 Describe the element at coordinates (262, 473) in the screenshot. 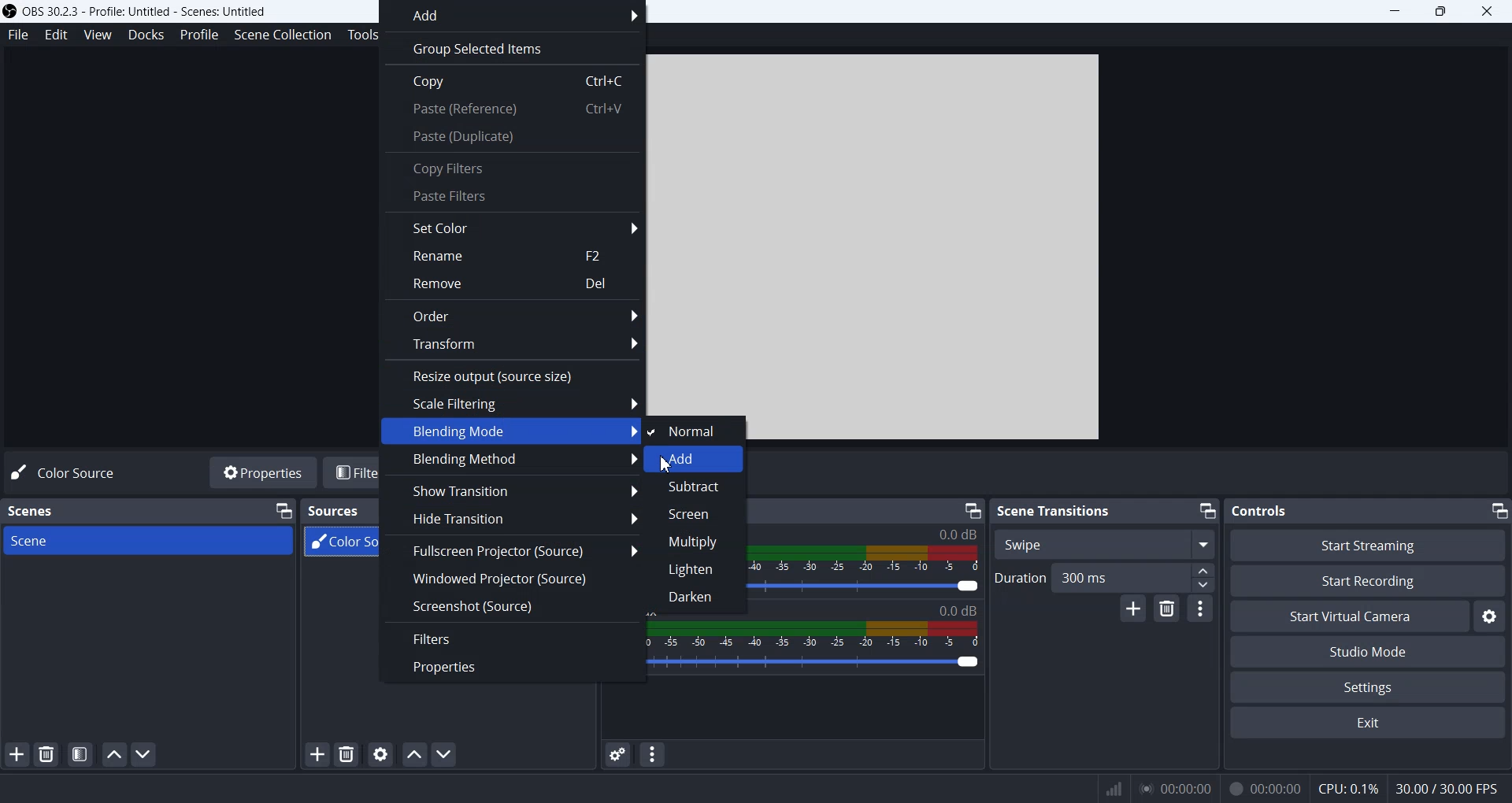

I see `Properties` at that location.